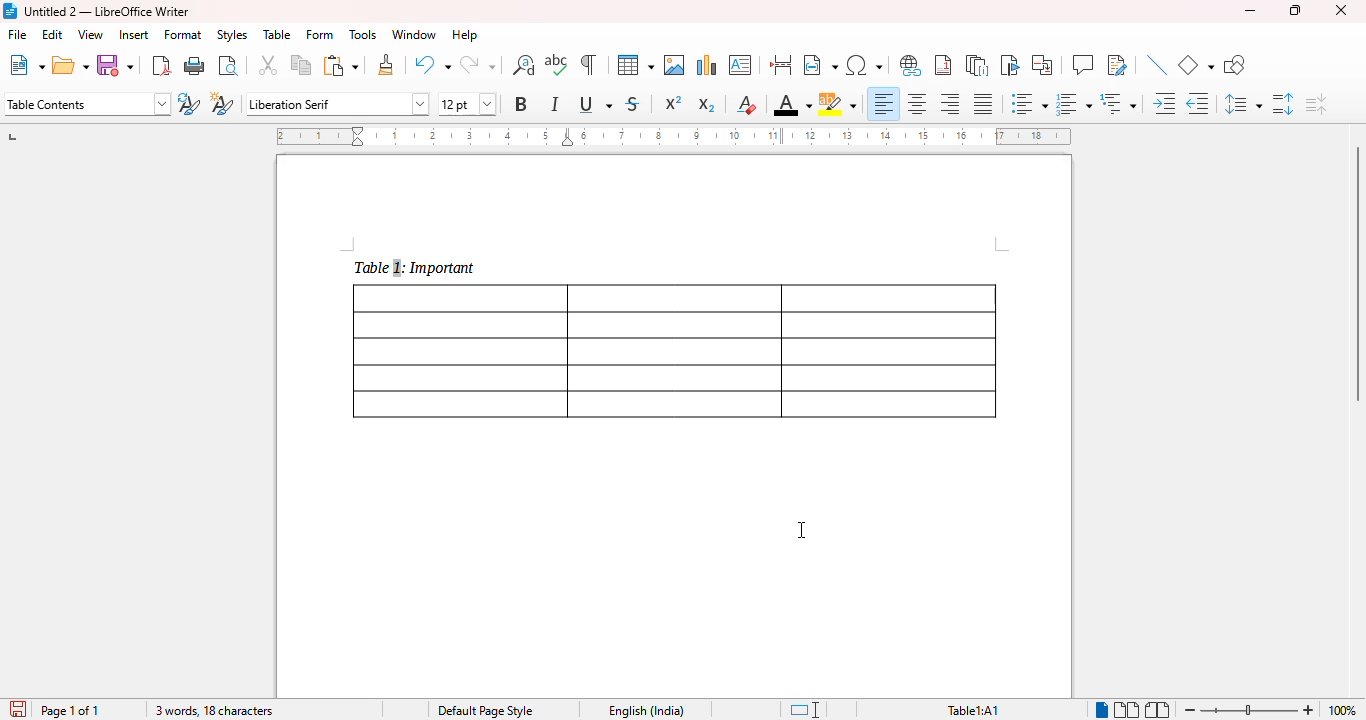 Image resolution: width=1366 pixels, height=720 pixels. I want to click on font color, so click(793, 104).